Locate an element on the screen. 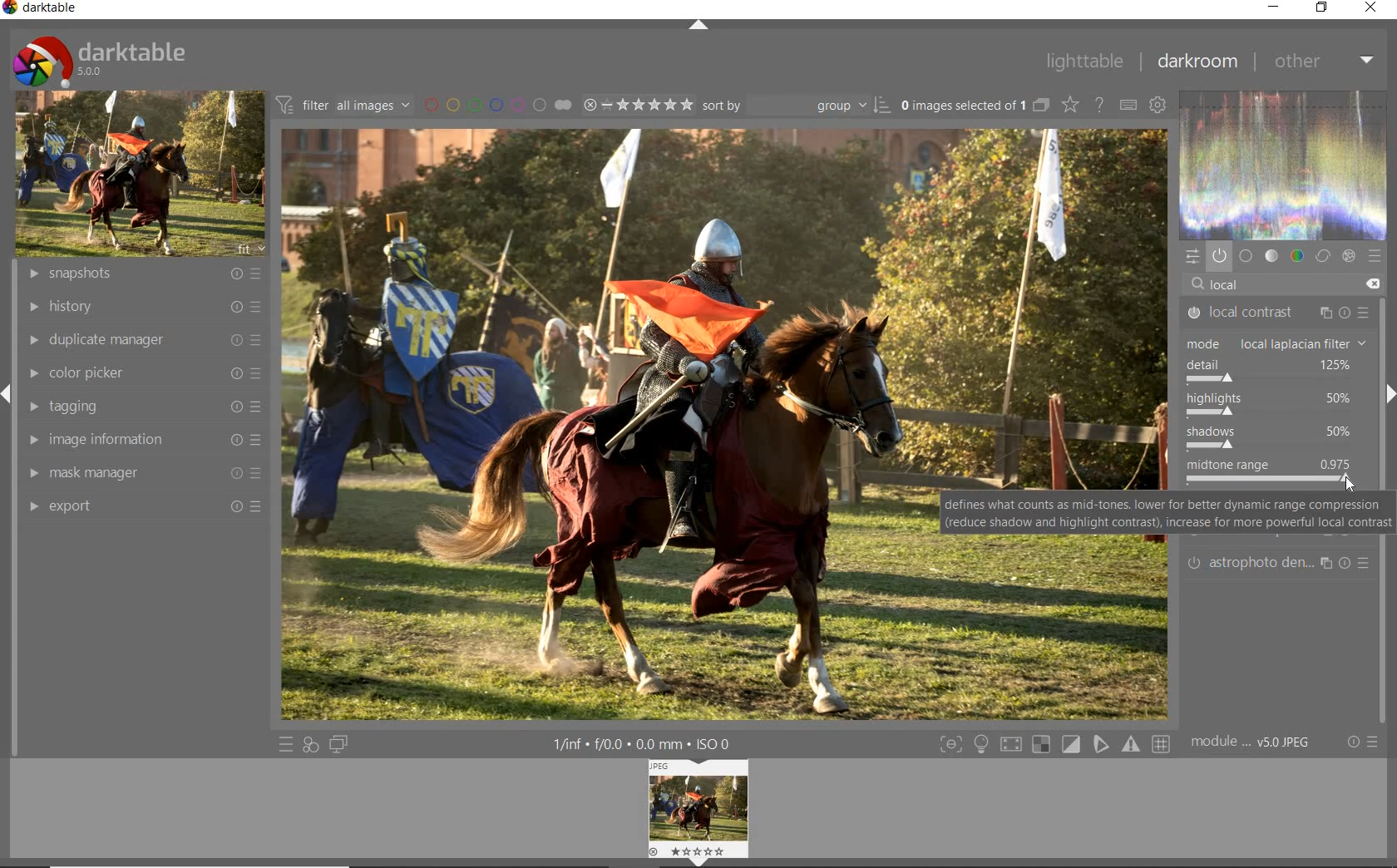 This screenshot has width=1397, height=868. module order is located at coordinates (1258, 742).